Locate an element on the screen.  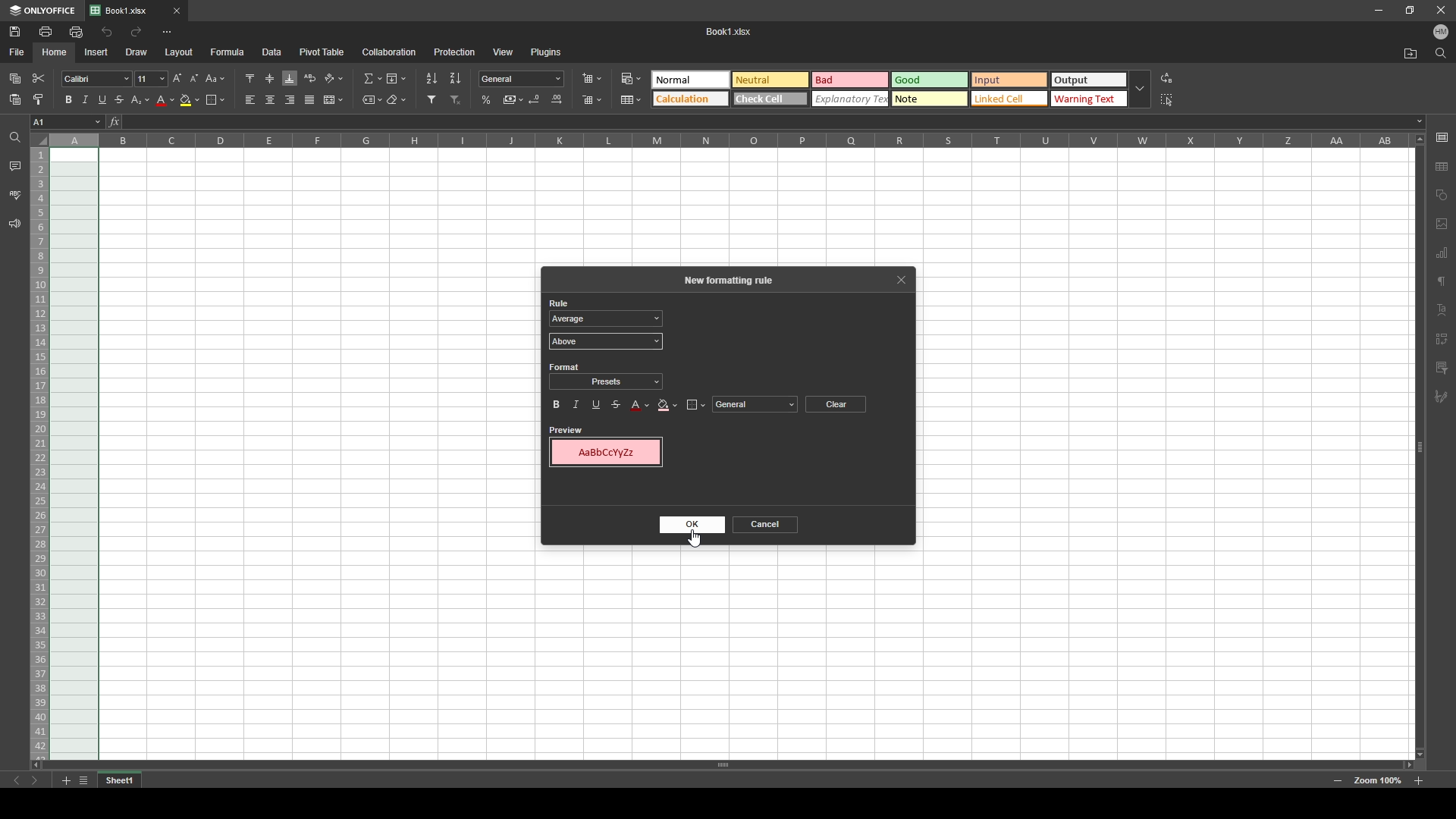
clear is located at coordinates (835, 403).